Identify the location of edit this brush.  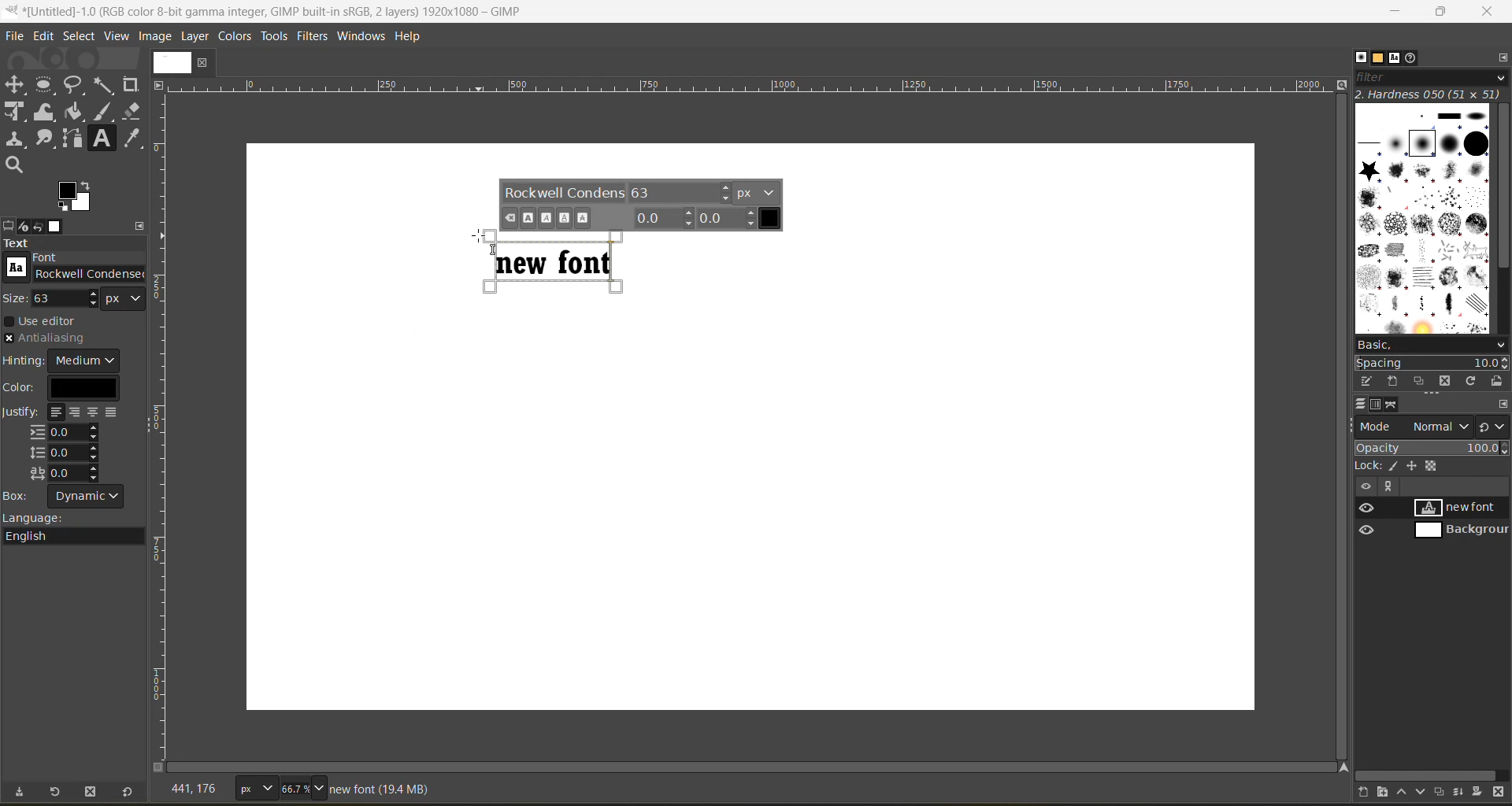
(1366, 381).